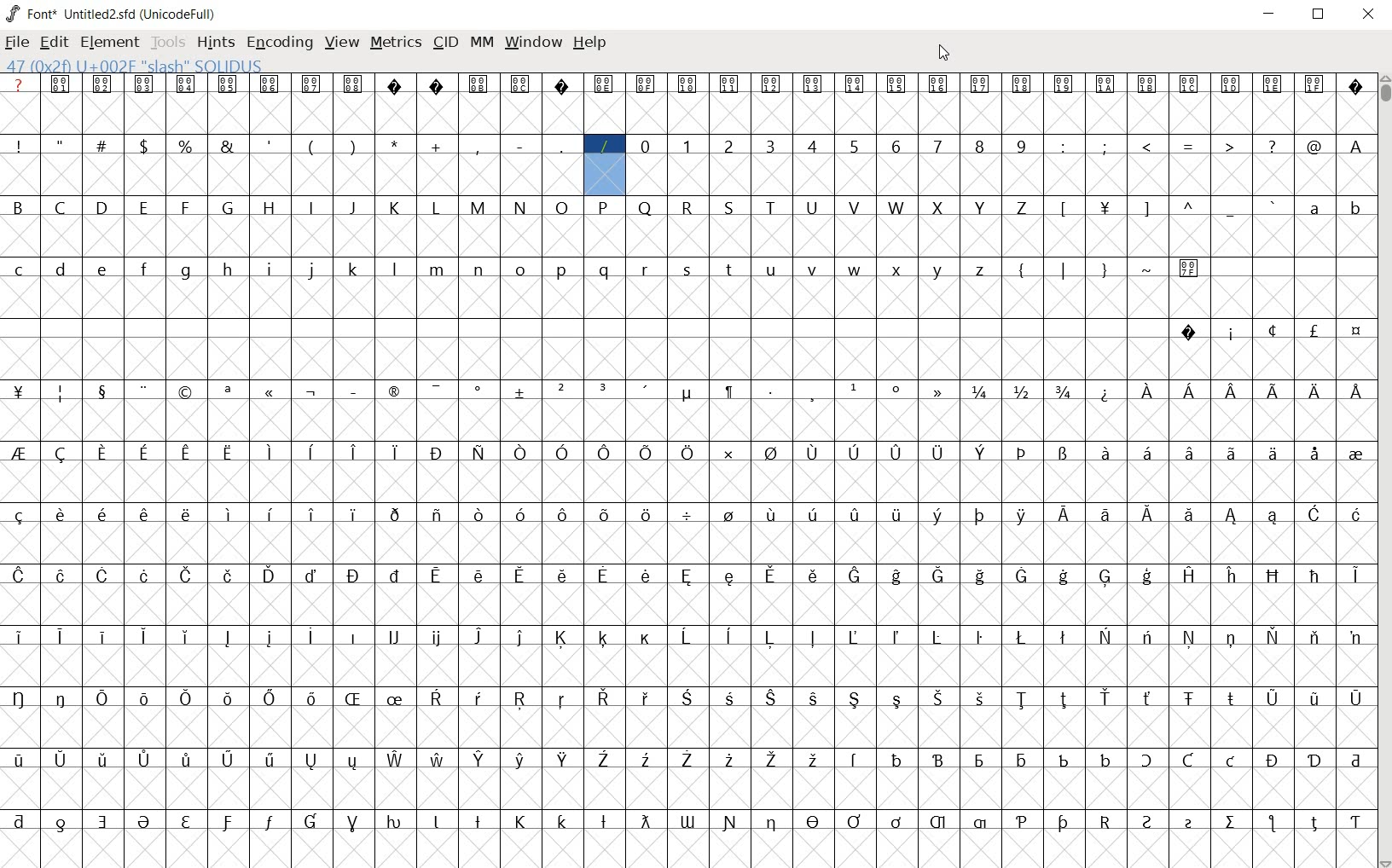 This screenshot has width=1392, height=868. I want to click on glyph, so click(813, 84).